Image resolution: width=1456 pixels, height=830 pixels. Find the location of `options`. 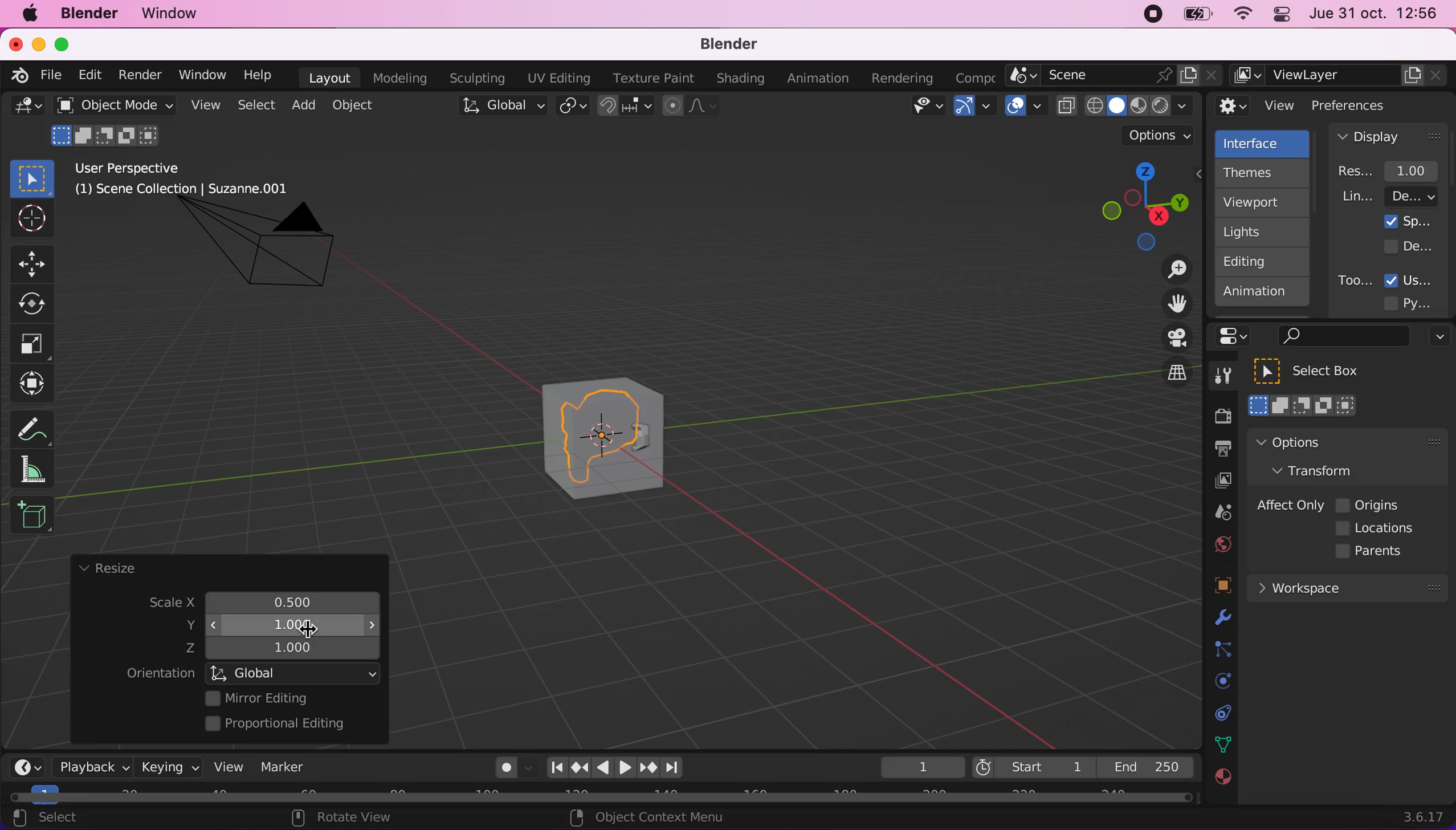

options is located at coordinates (1320, 442).